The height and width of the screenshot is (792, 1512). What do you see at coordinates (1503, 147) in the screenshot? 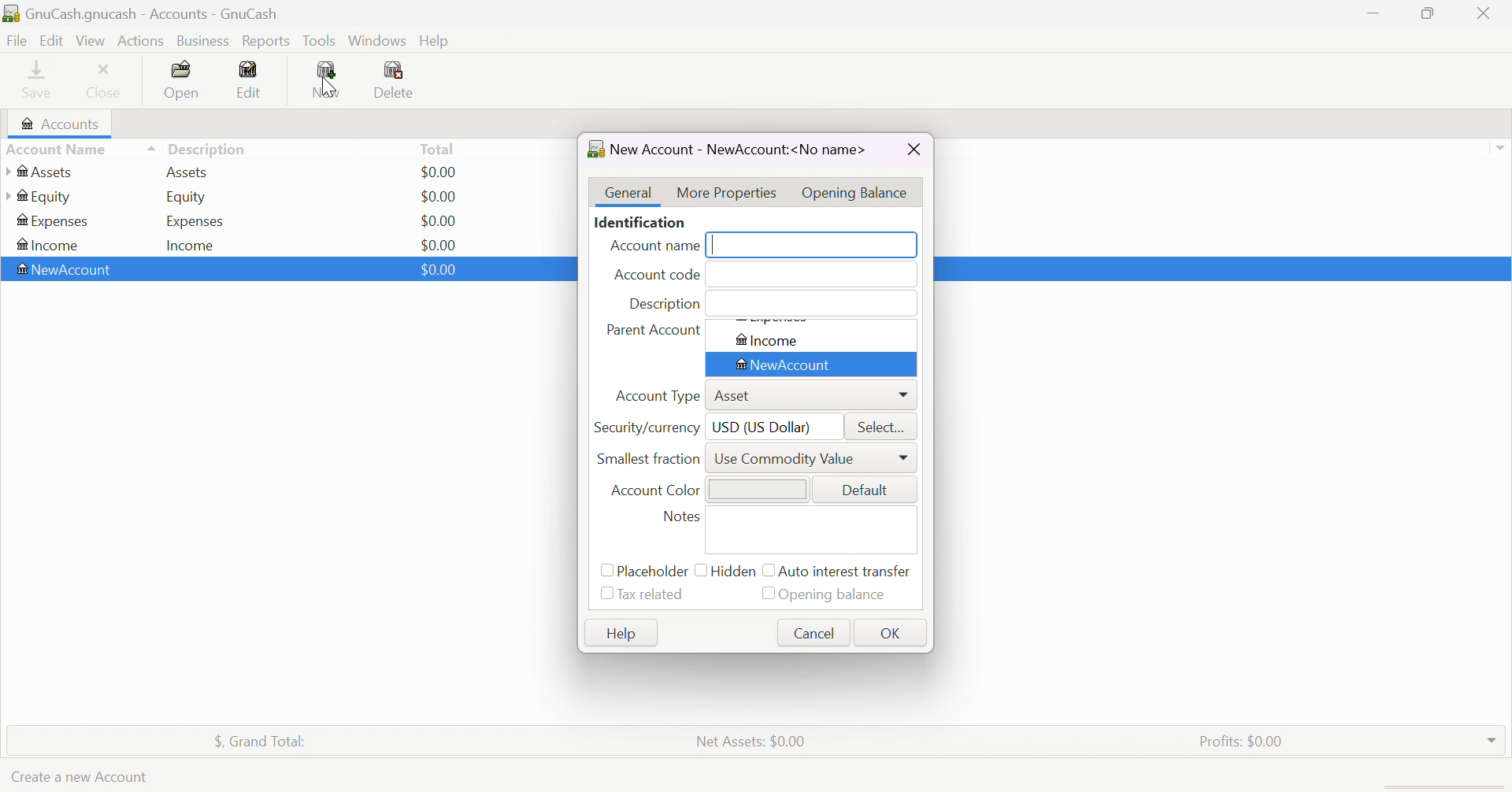
I see `drop down` at bounding box center [1503, 147].